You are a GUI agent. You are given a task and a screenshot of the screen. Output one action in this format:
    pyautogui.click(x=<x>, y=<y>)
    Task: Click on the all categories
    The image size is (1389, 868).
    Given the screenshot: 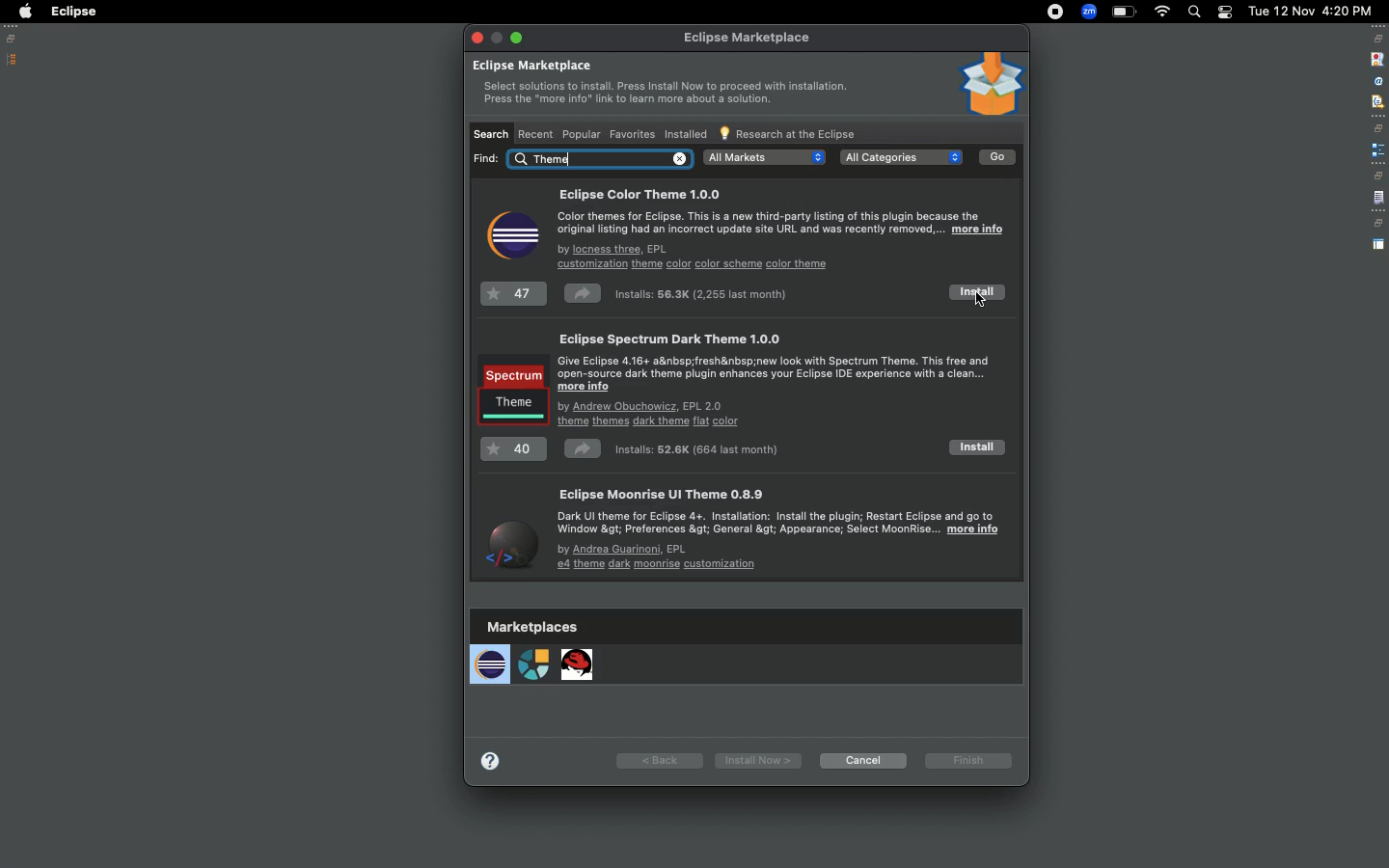 What is the action you would take?
    pyautogui.click(x=901, y=157)
    